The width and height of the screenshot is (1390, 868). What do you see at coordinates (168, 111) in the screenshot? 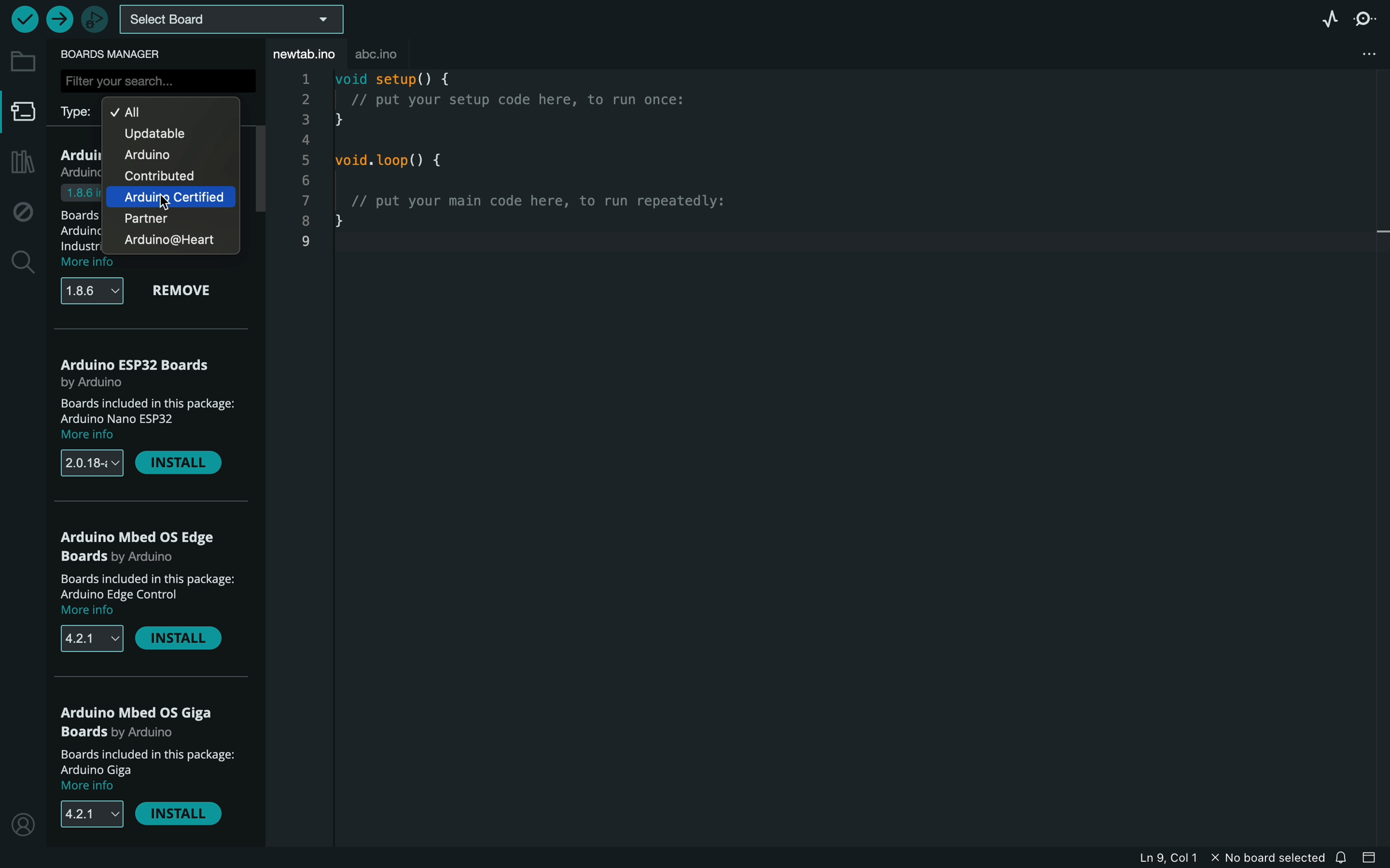
I see `all` at bounding box center [168, 111].